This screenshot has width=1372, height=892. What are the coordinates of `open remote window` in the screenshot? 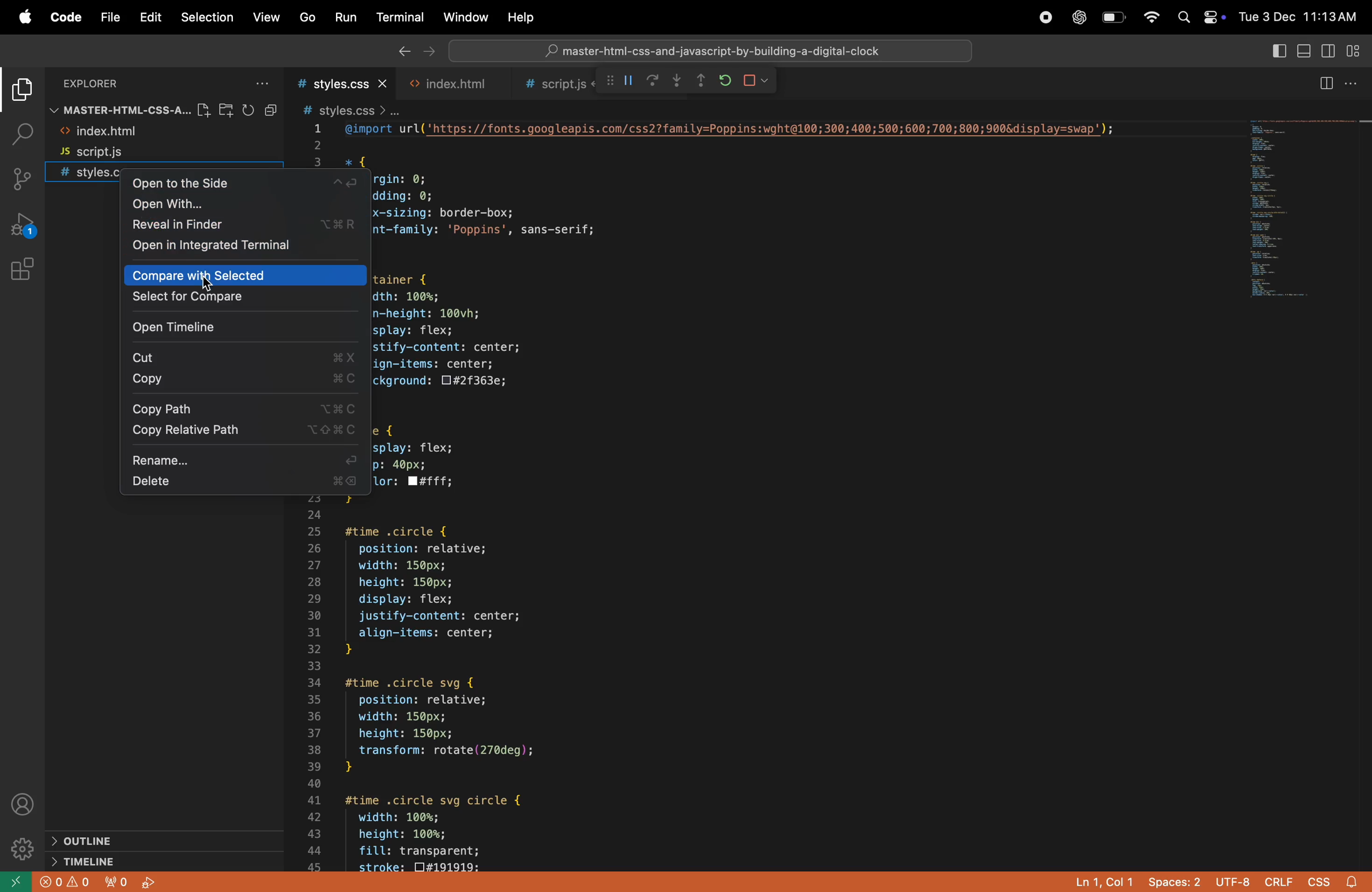 It's located at (14, 881).